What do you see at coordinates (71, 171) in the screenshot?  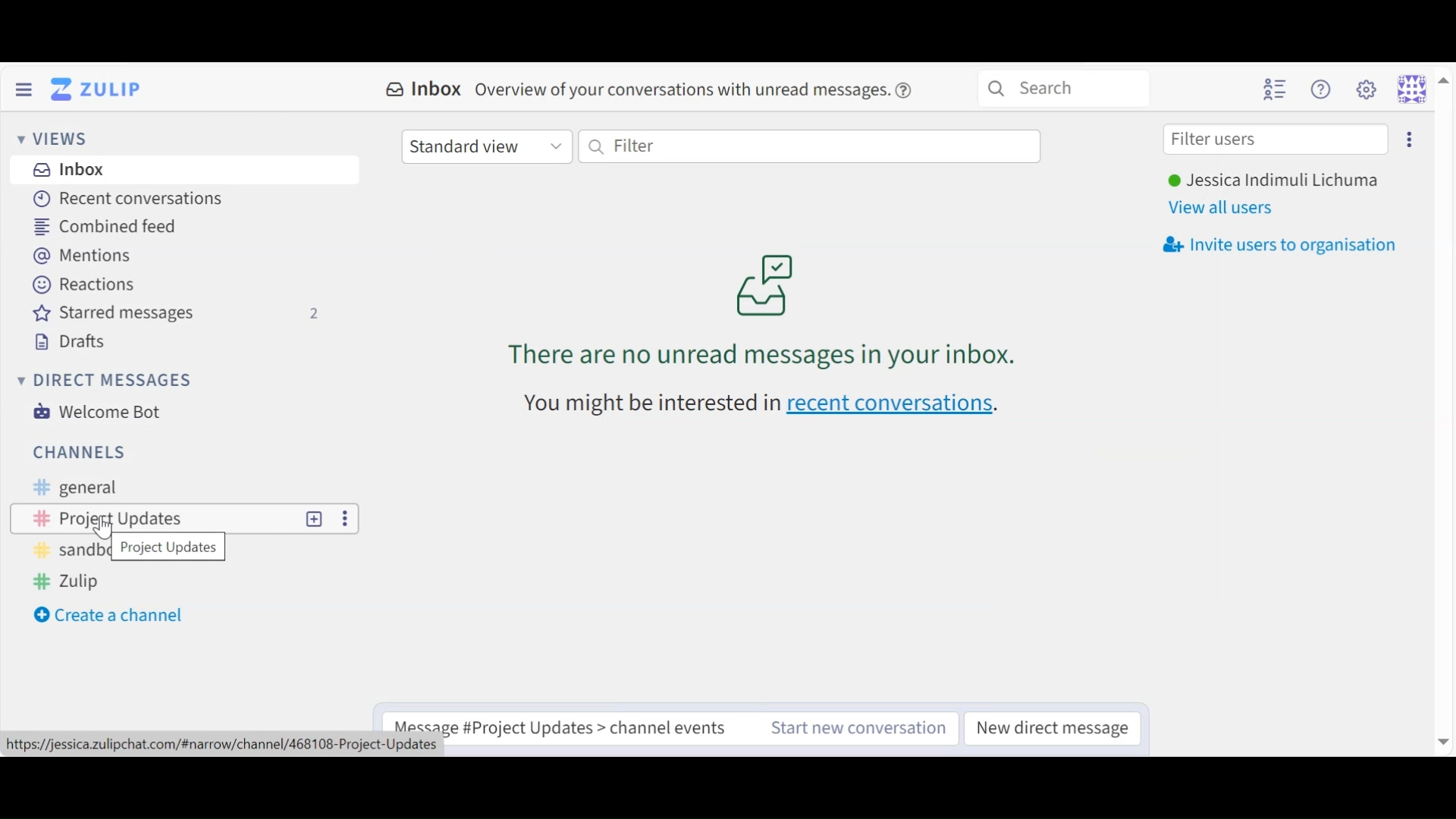 I see `Inbox` at bounding box center [71, 171].